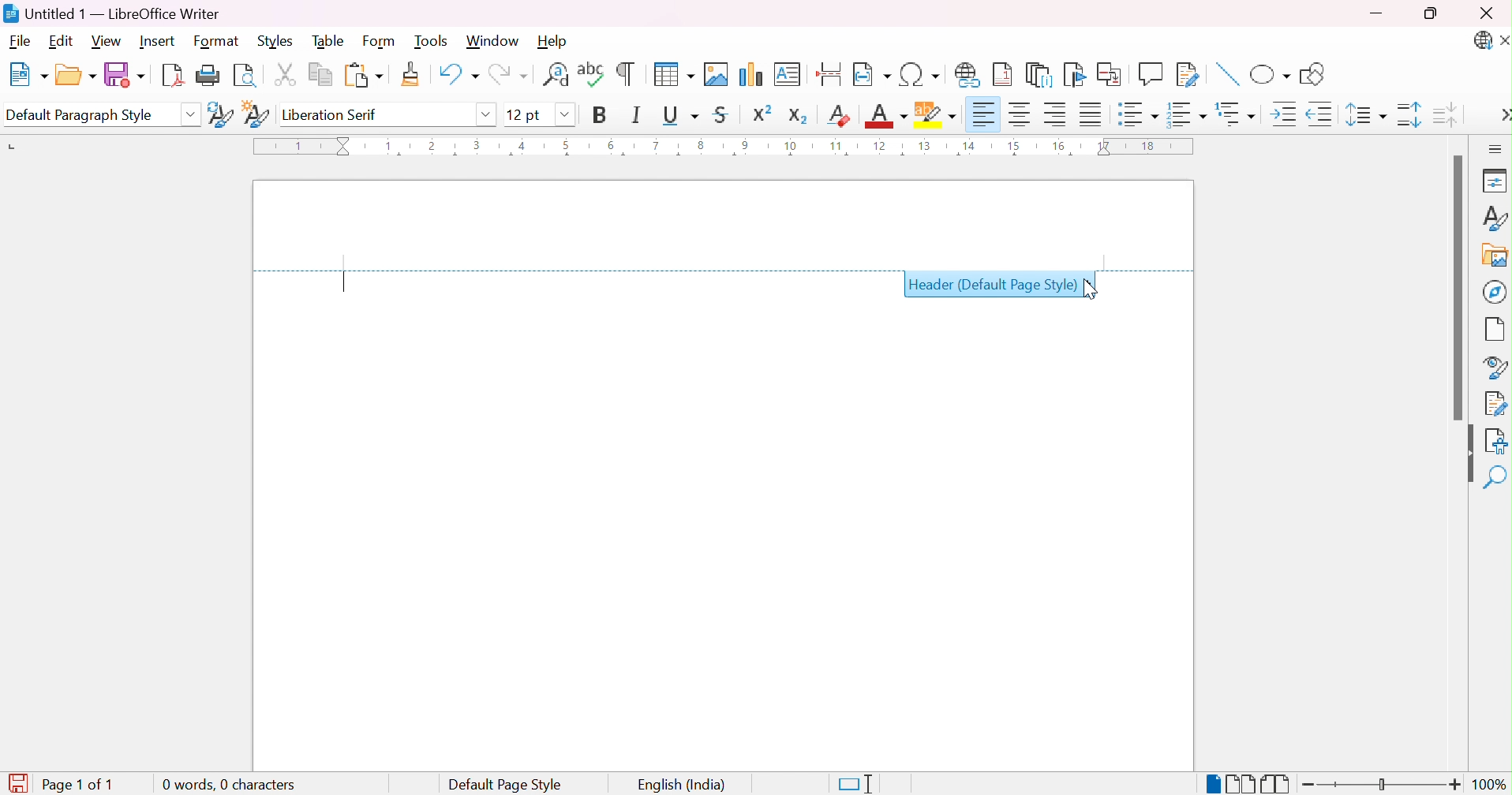 The width and height of the screenshot is (1512, 795). Describe the element at coordinates (1228, 74) in the screenshot. I see `Image annotation` at that location.